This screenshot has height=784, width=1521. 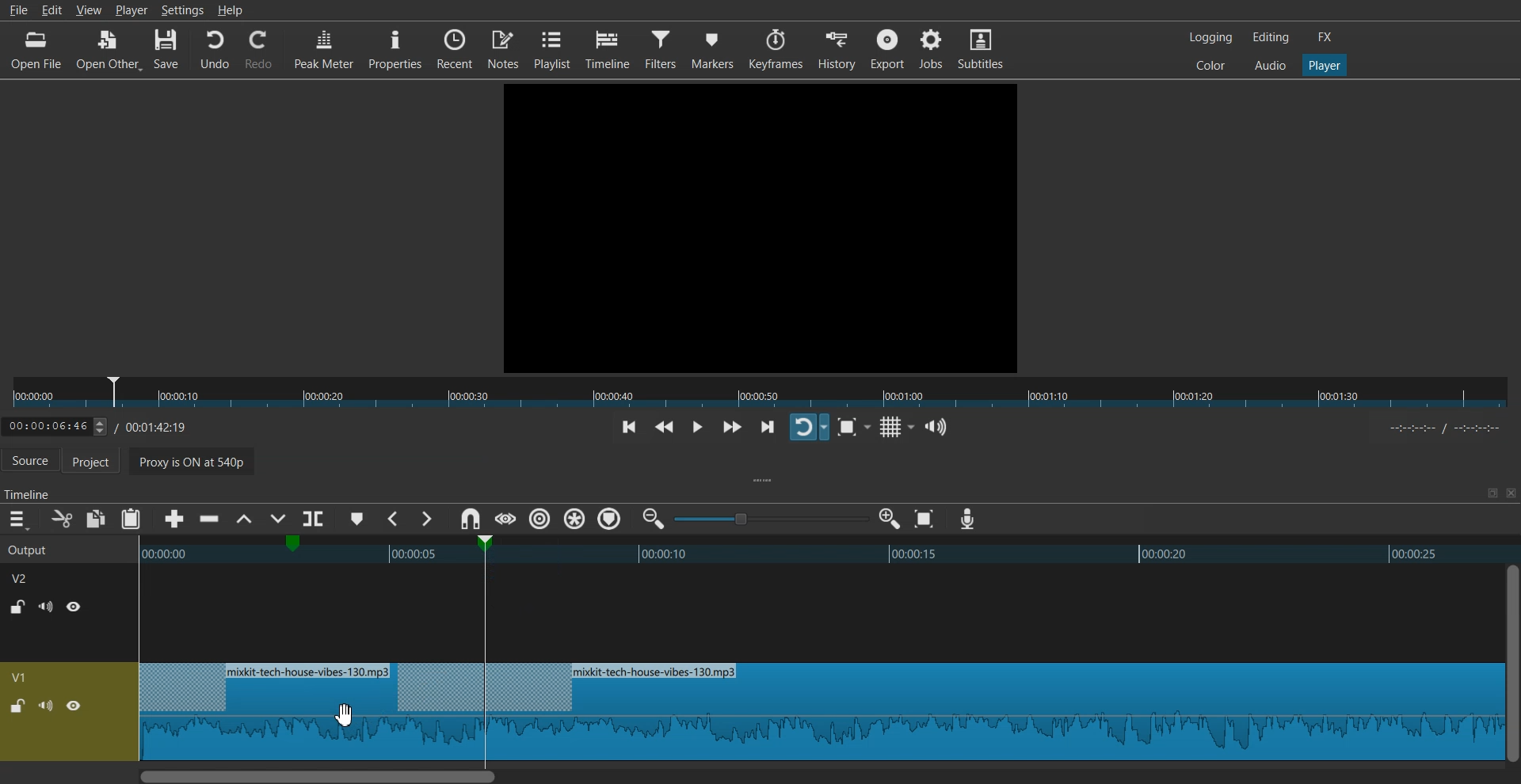 What do you see at coordinates (316, 516) in the screenshot?
I see `Split at playhead` at bounding box center [316, 516].